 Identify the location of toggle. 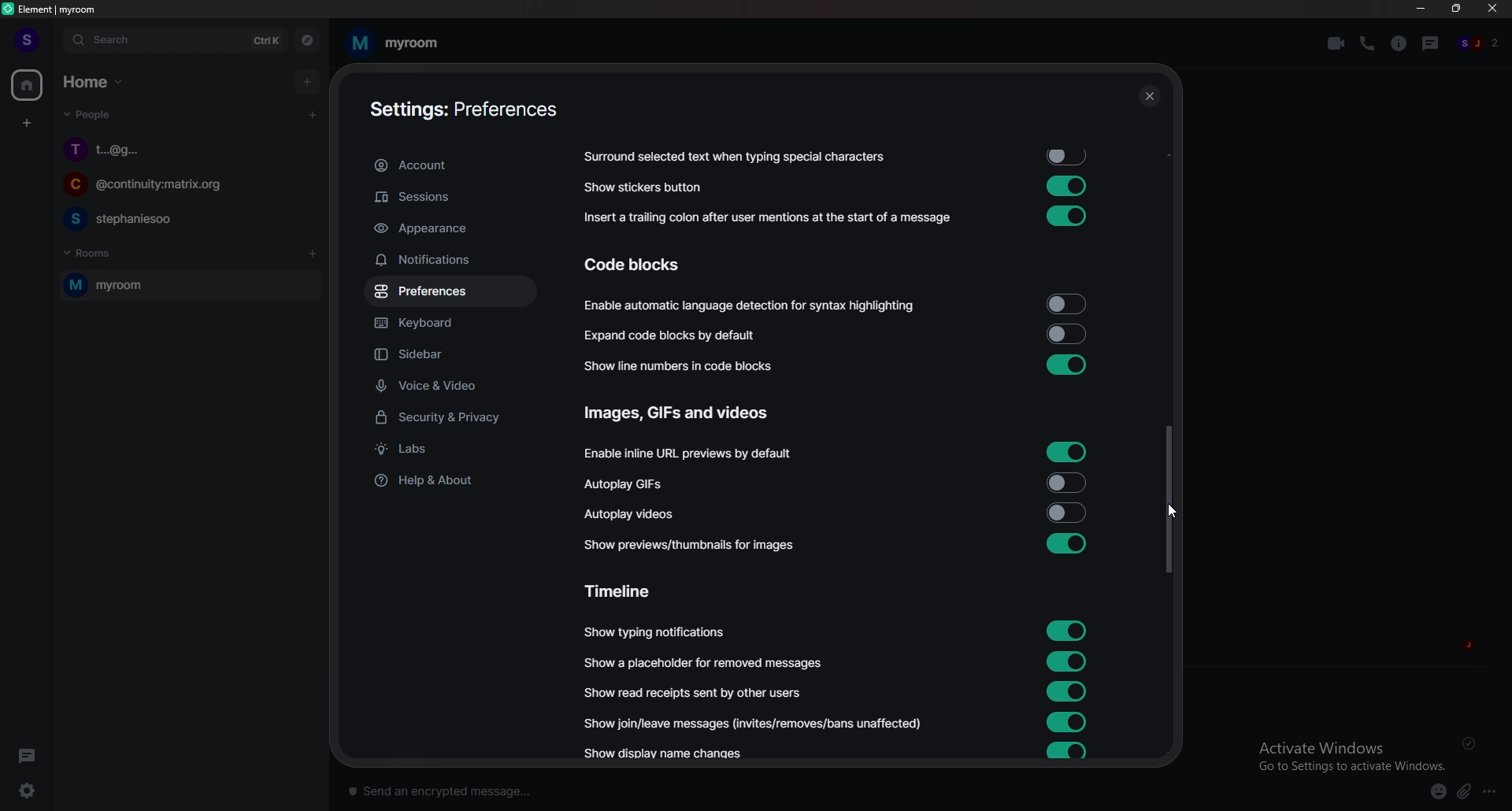
(1068, 628).